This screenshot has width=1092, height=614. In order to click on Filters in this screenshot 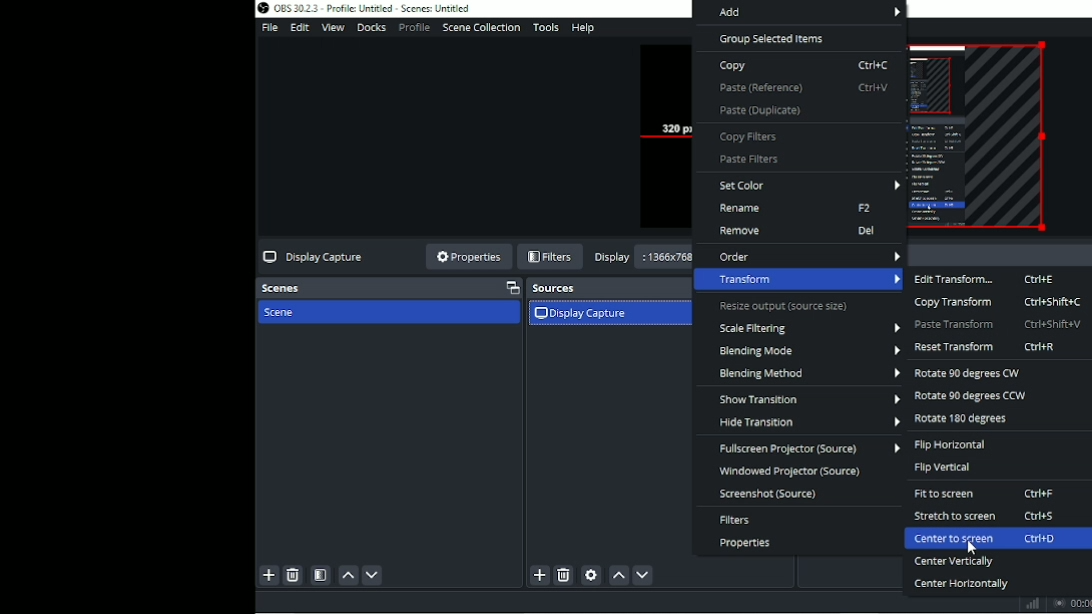, I will do `click(741, 520)`.